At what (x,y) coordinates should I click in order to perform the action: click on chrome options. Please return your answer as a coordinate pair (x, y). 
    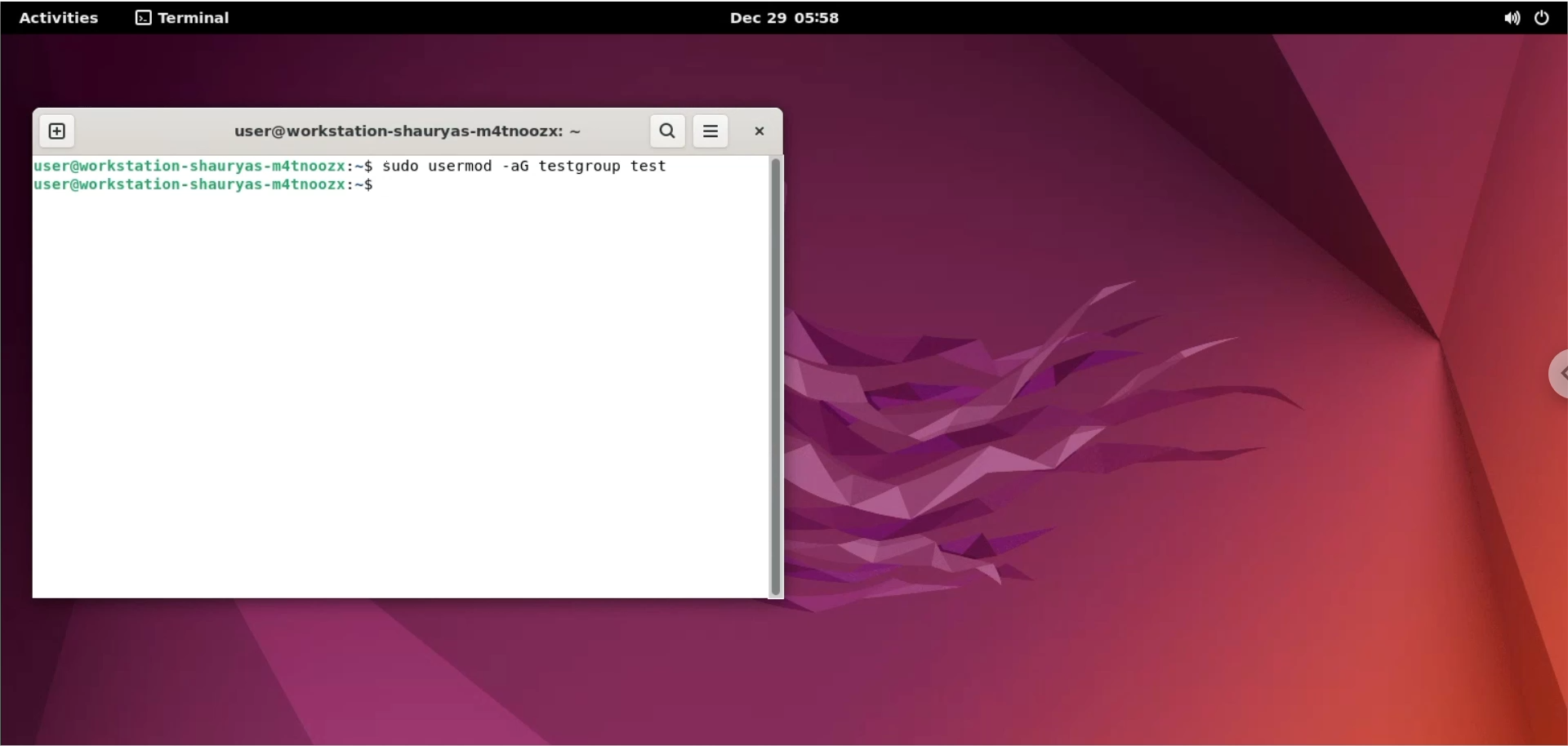
    Looking at the image, I should click on (1552, 373).